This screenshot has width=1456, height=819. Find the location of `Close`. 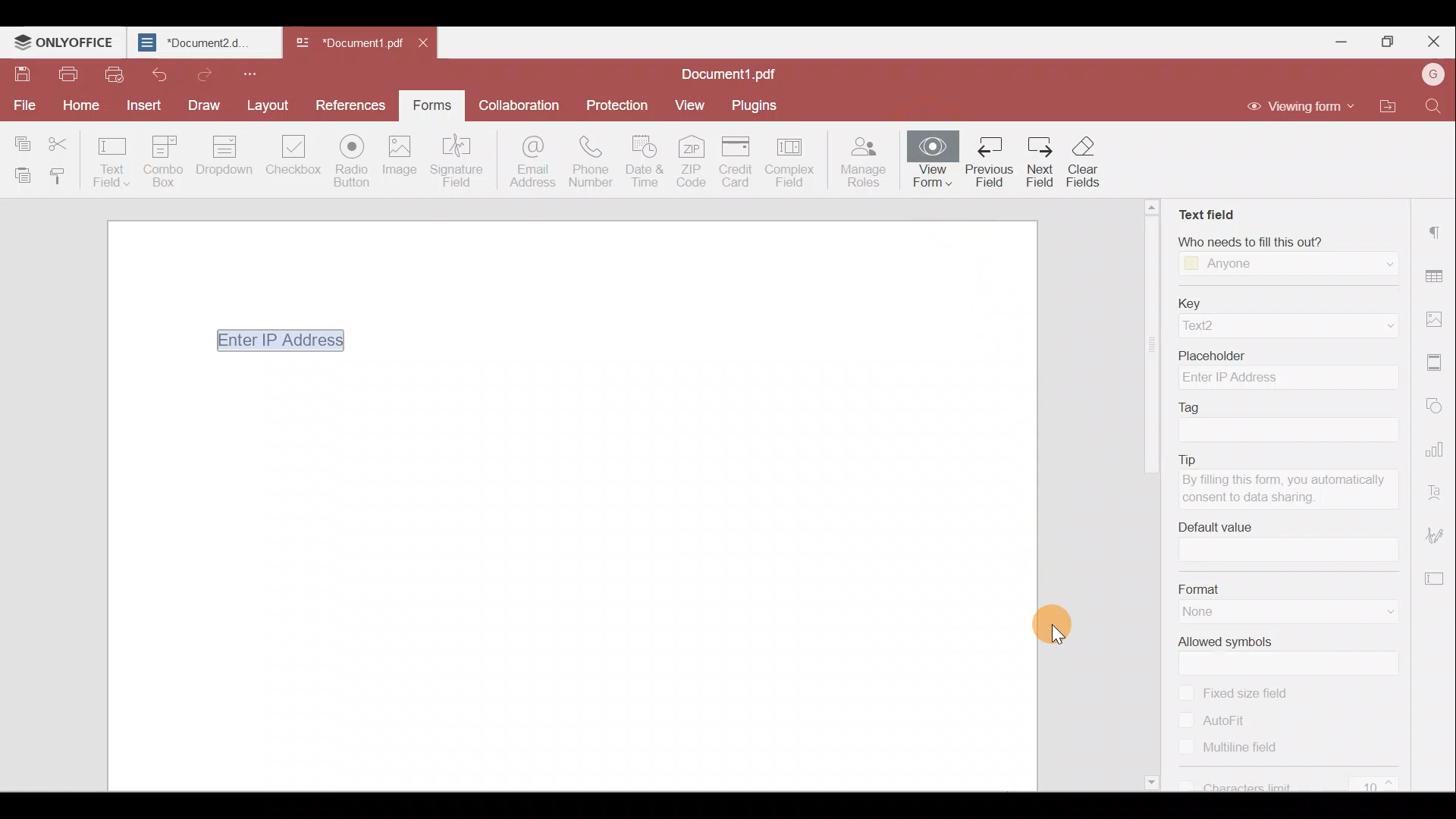

Close is located at coordinates (1434, 39).